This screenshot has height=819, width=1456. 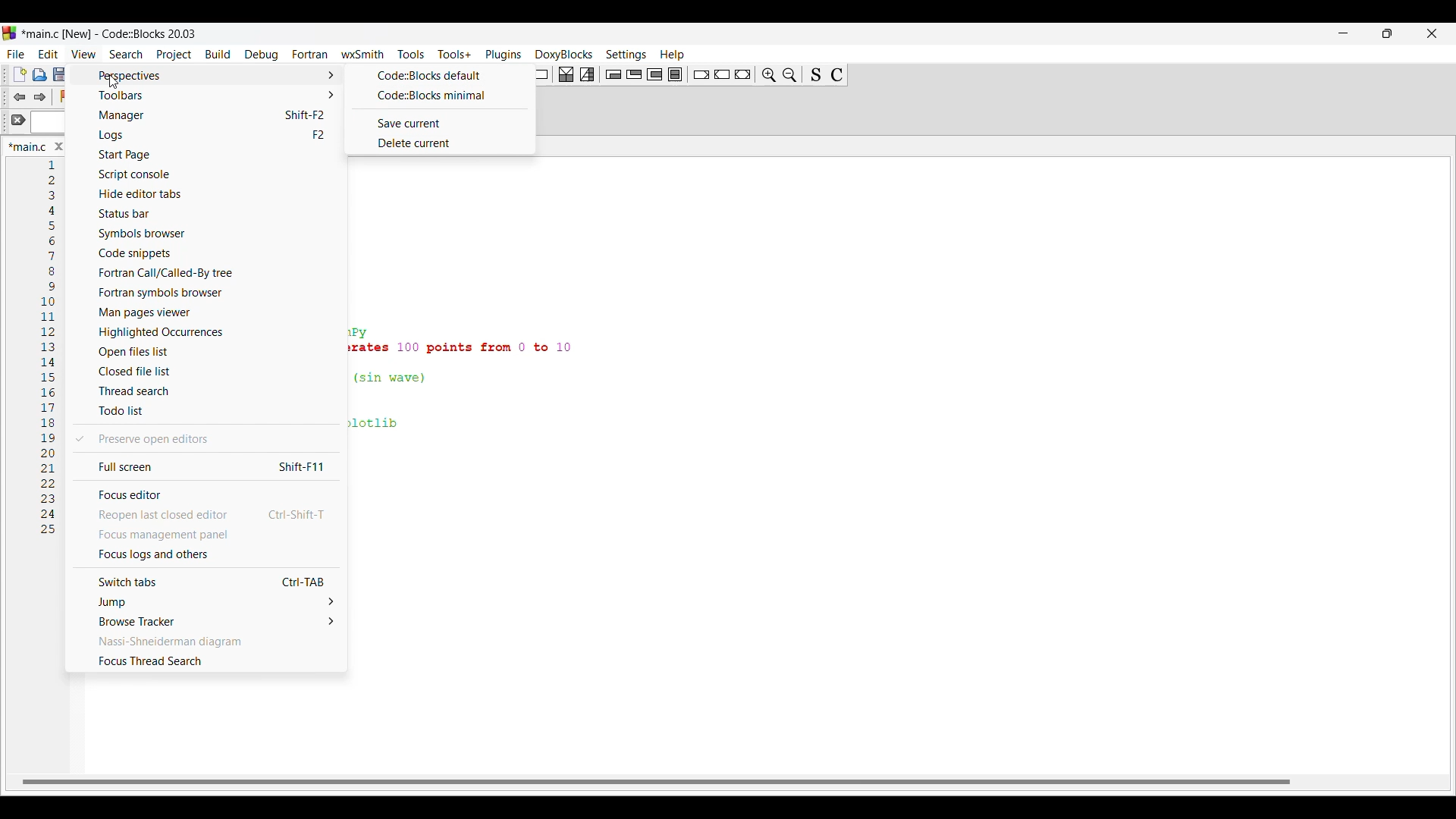 I want to click on Highlighted occurences, so click(x=207, y=332).